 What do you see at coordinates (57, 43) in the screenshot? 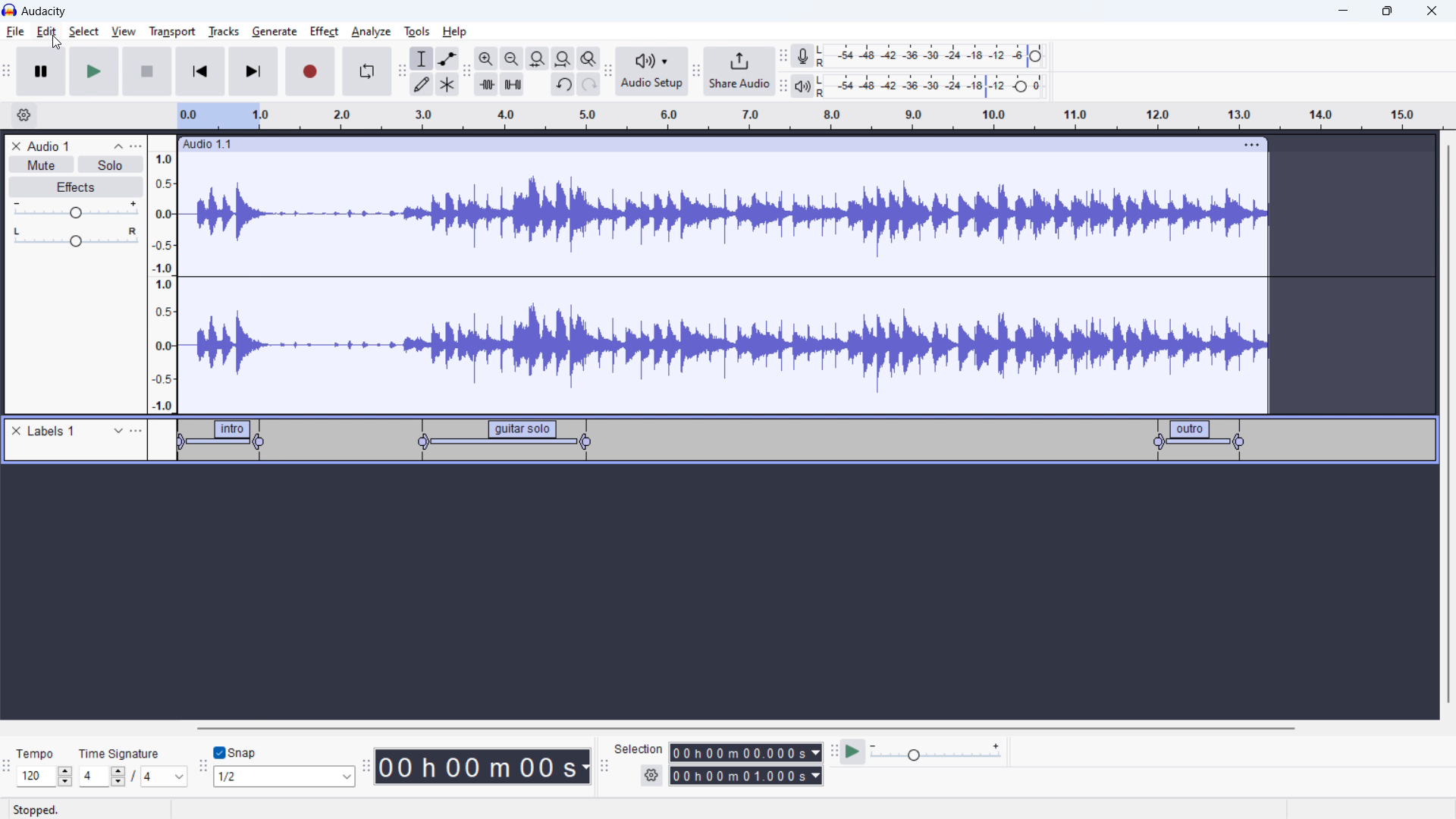
I see `cursor` at bounding box center [57, 43].